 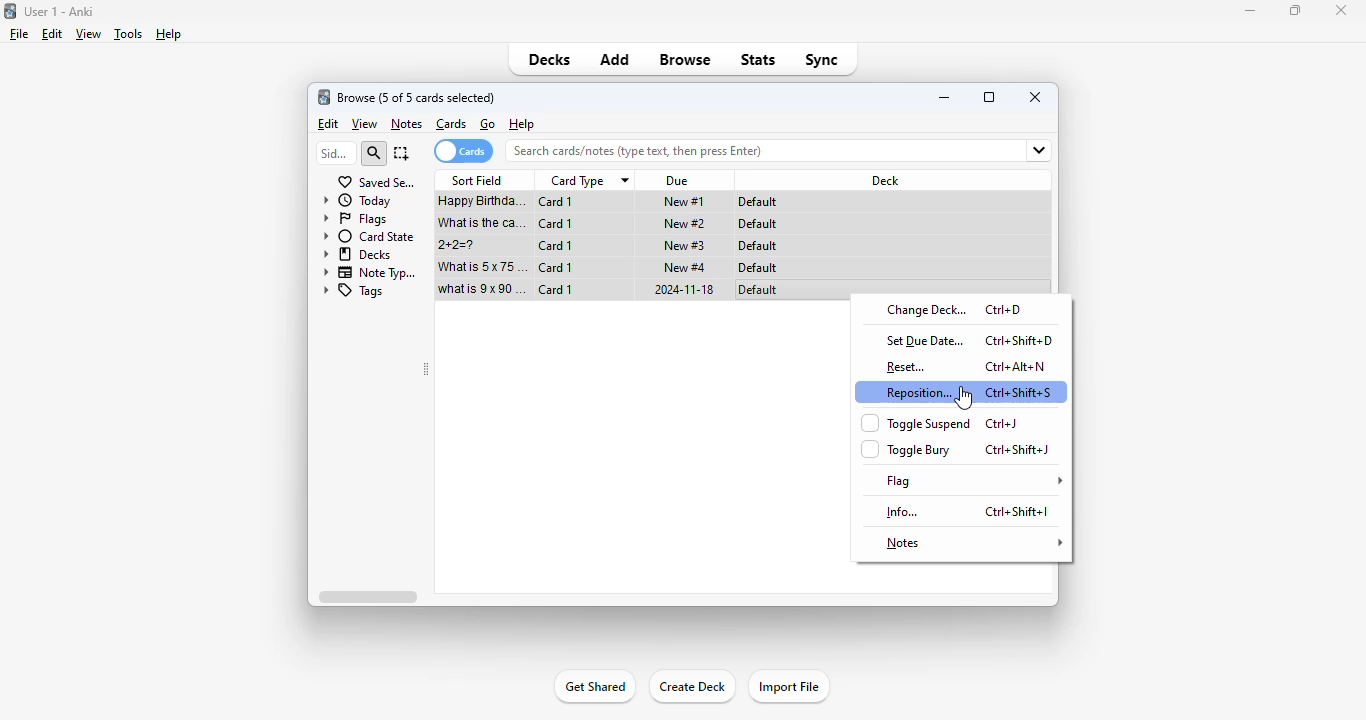 What do you see at coordinates (483, 203) in the screenshot?
I see `happy birthday song!!!.mp3` at bounding box center [483, 203].